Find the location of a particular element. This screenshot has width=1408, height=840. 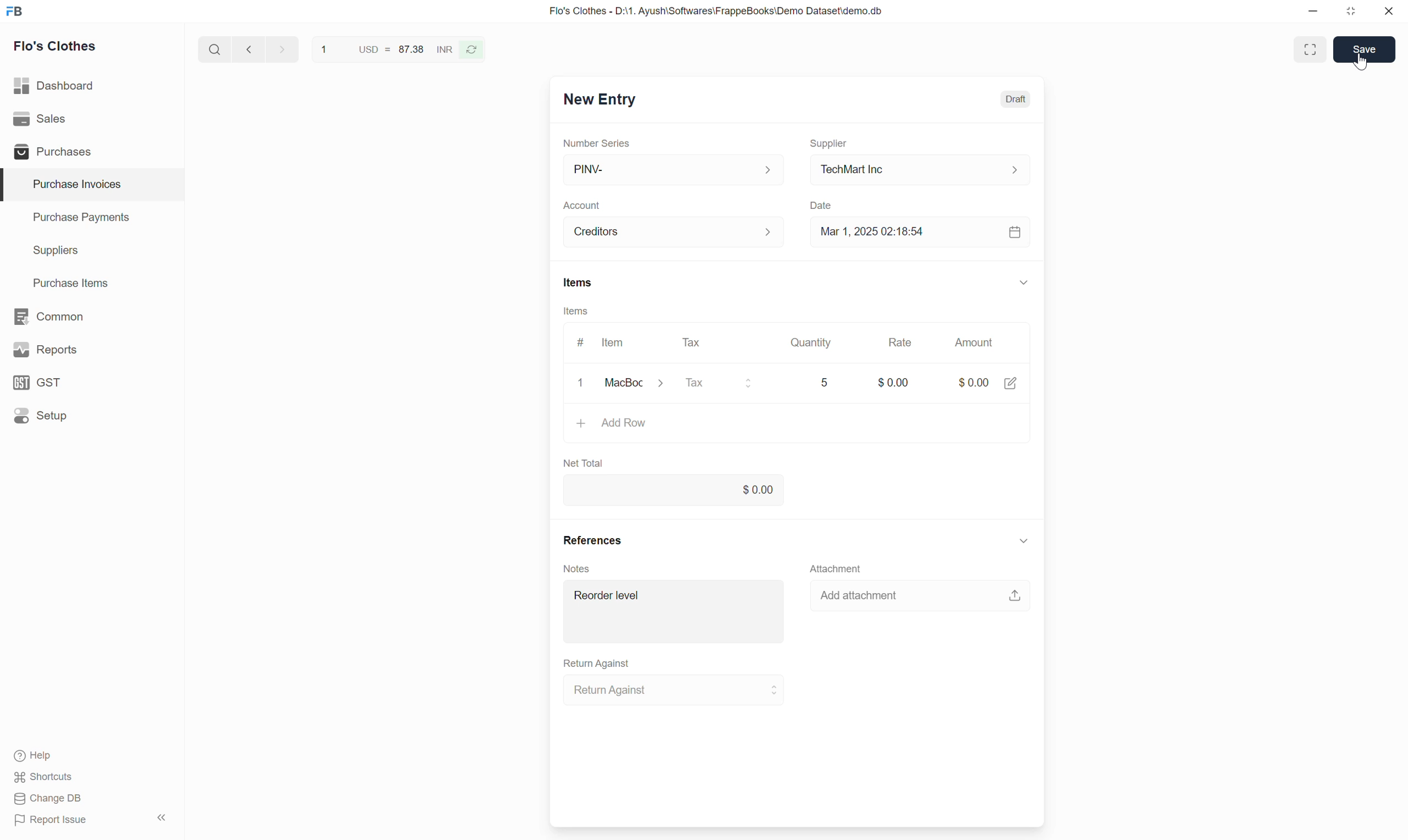

Items is located at coordinates (576, 311).